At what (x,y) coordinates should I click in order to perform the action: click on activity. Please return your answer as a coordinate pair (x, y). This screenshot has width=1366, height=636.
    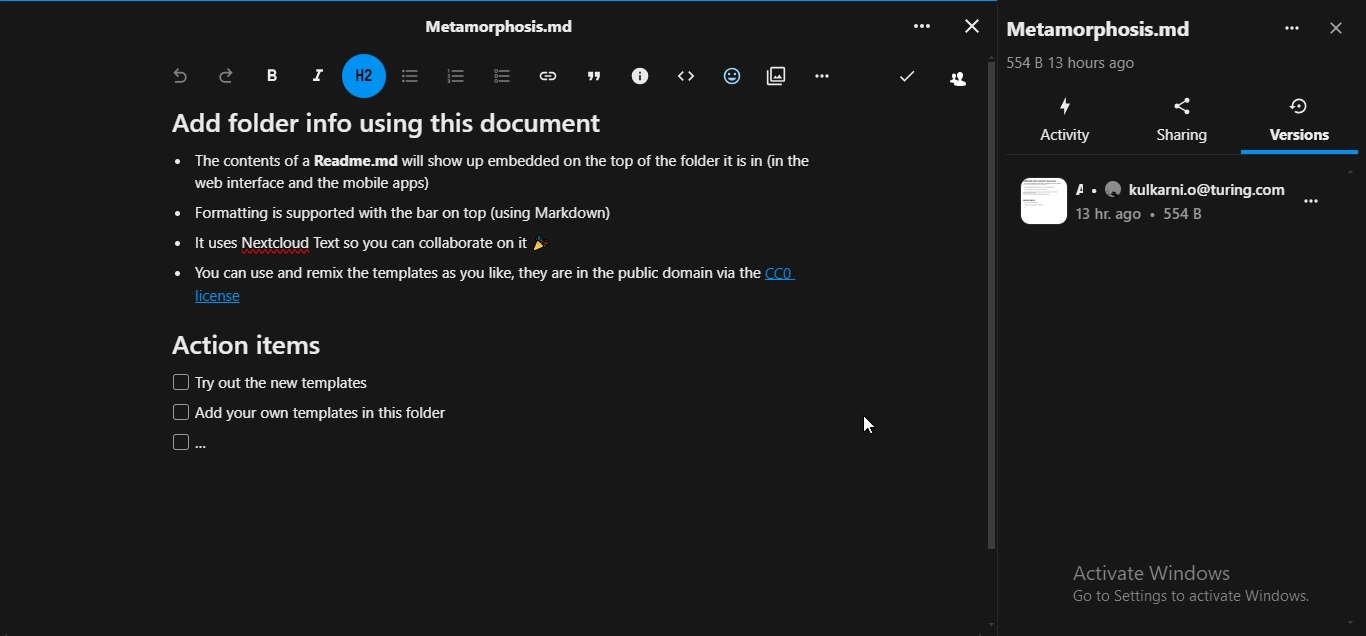
    Looking at the image, I should click on (1065, 120).